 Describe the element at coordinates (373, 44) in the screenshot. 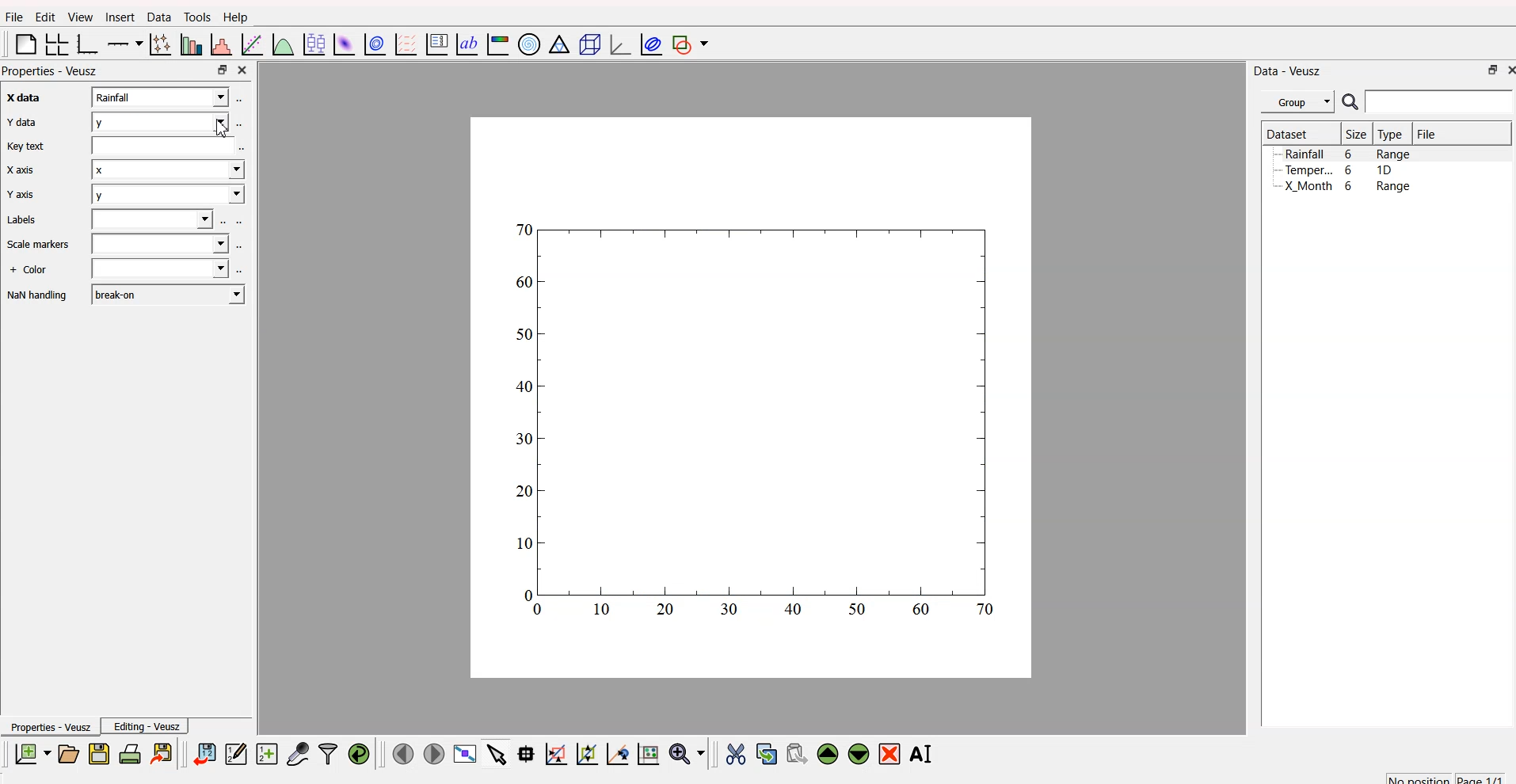

I see `plot data` at that location.